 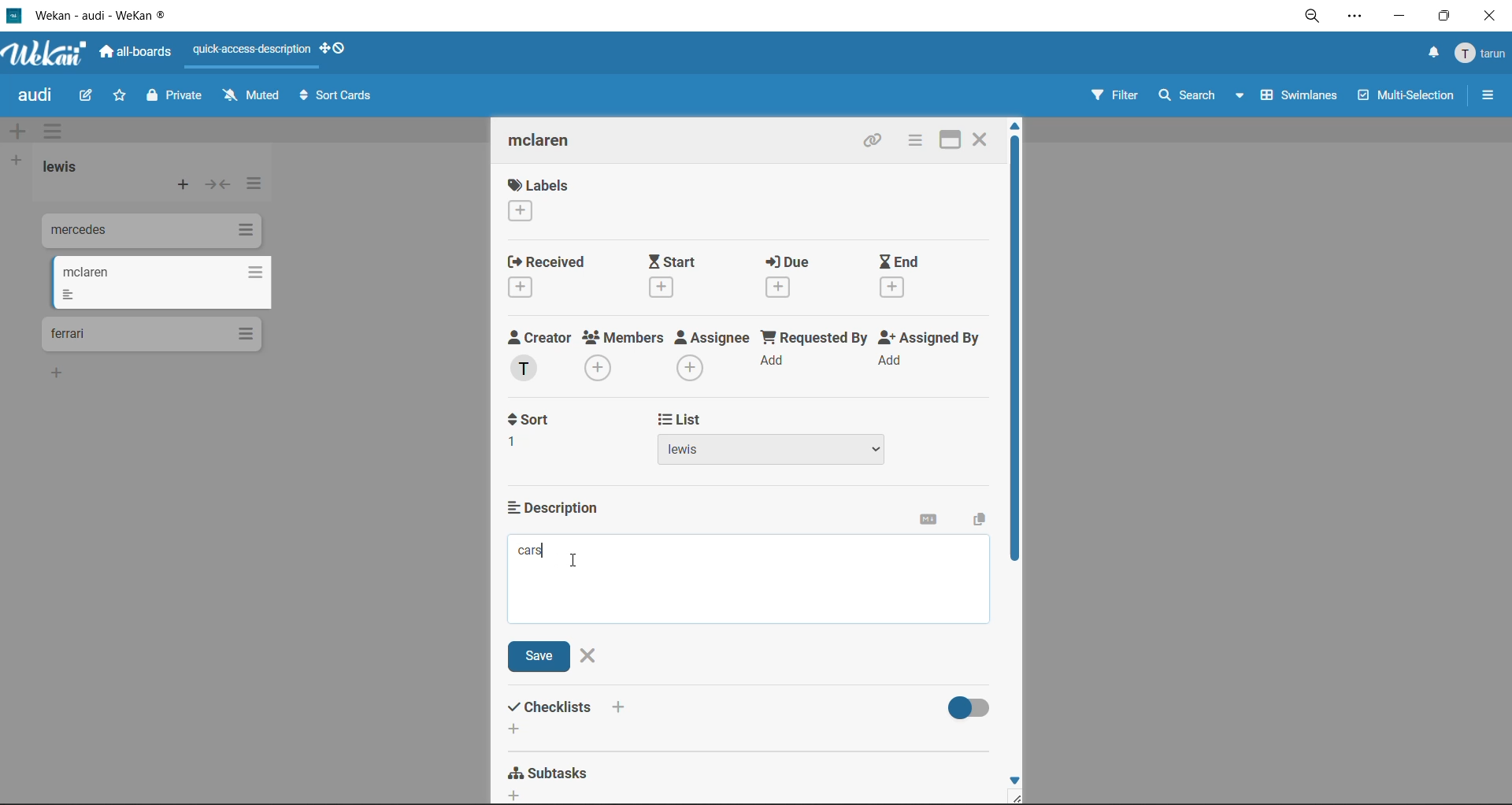 What do you see at coordinates (543, 356) in the screenshot?
I see `creator` at bounding box center [543, 356].